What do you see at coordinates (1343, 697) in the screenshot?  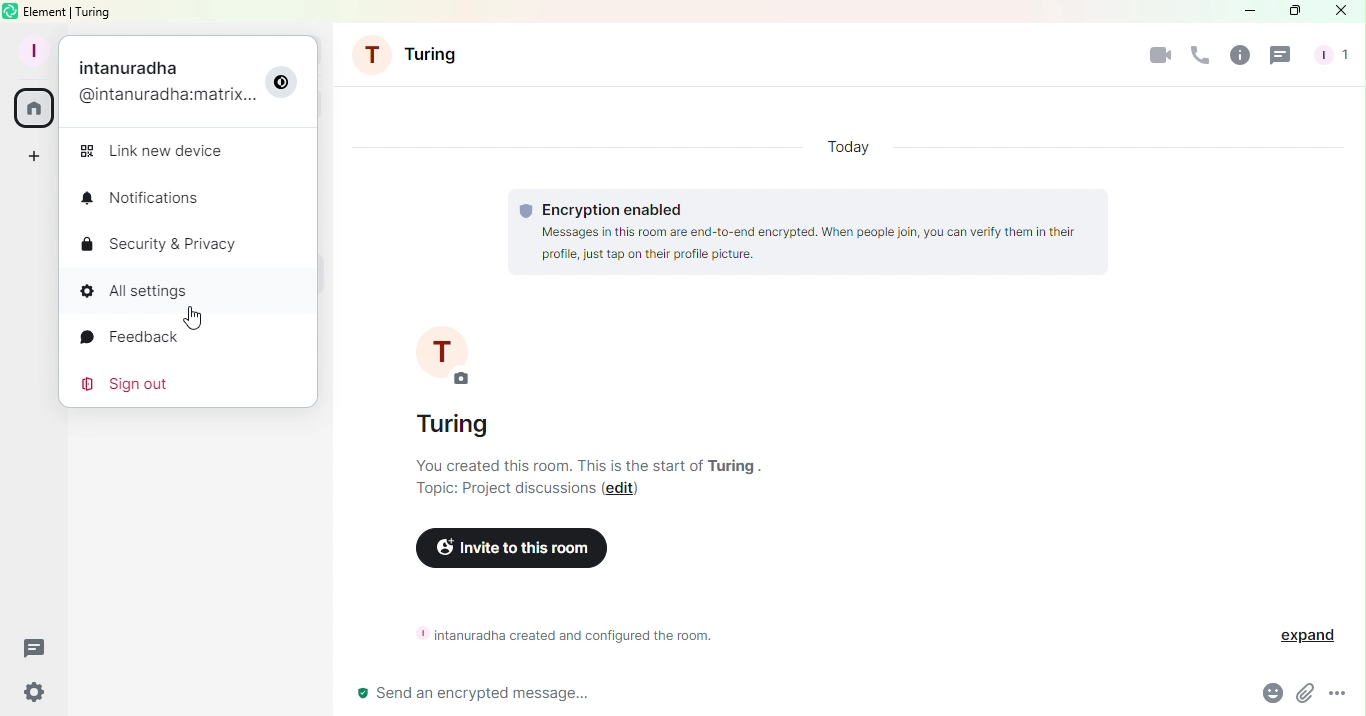 I see `More options` at bounding box center [1343, 697].